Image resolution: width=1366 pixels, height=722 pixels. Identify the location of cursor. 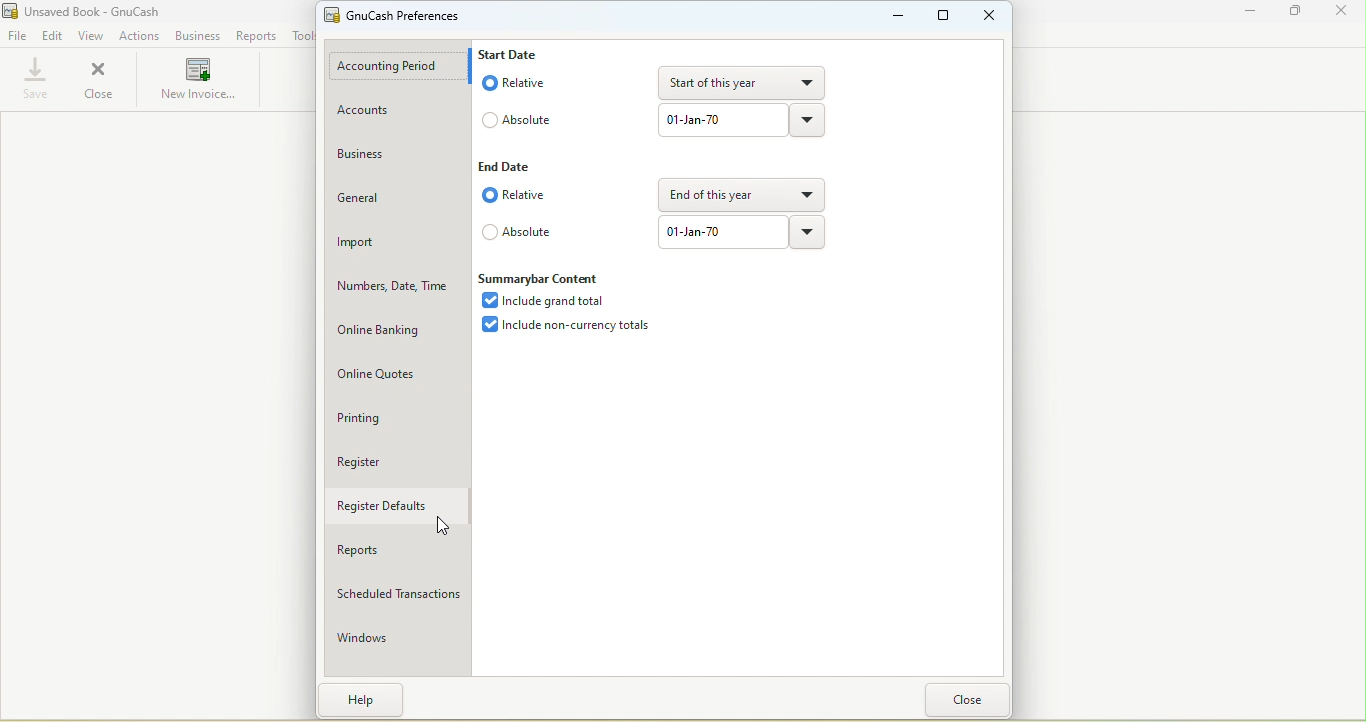
(441, 526).